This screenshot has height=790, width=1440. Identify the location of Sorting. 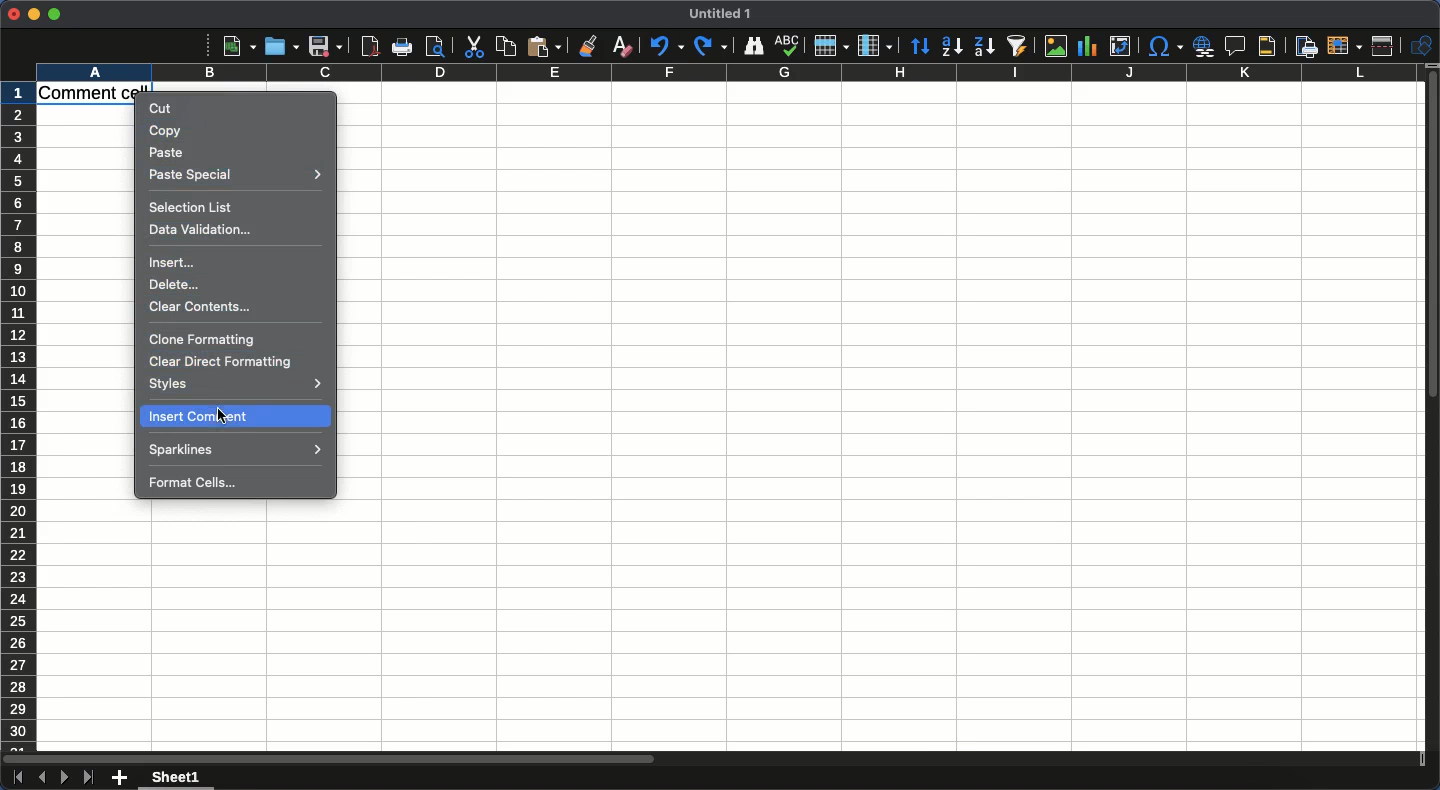
(921, 46).